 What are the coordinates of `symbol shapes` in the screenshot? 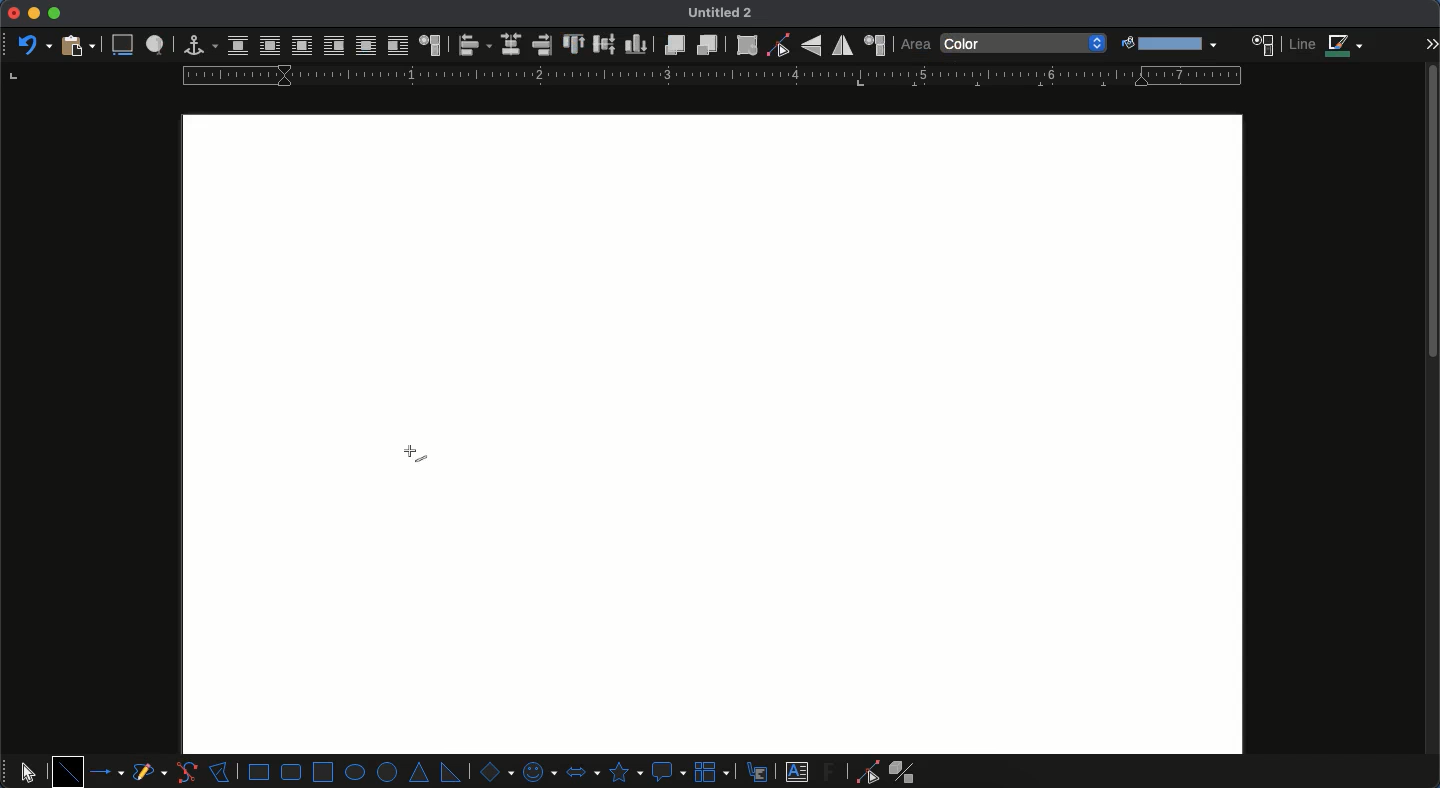 It's located at (538, 771).